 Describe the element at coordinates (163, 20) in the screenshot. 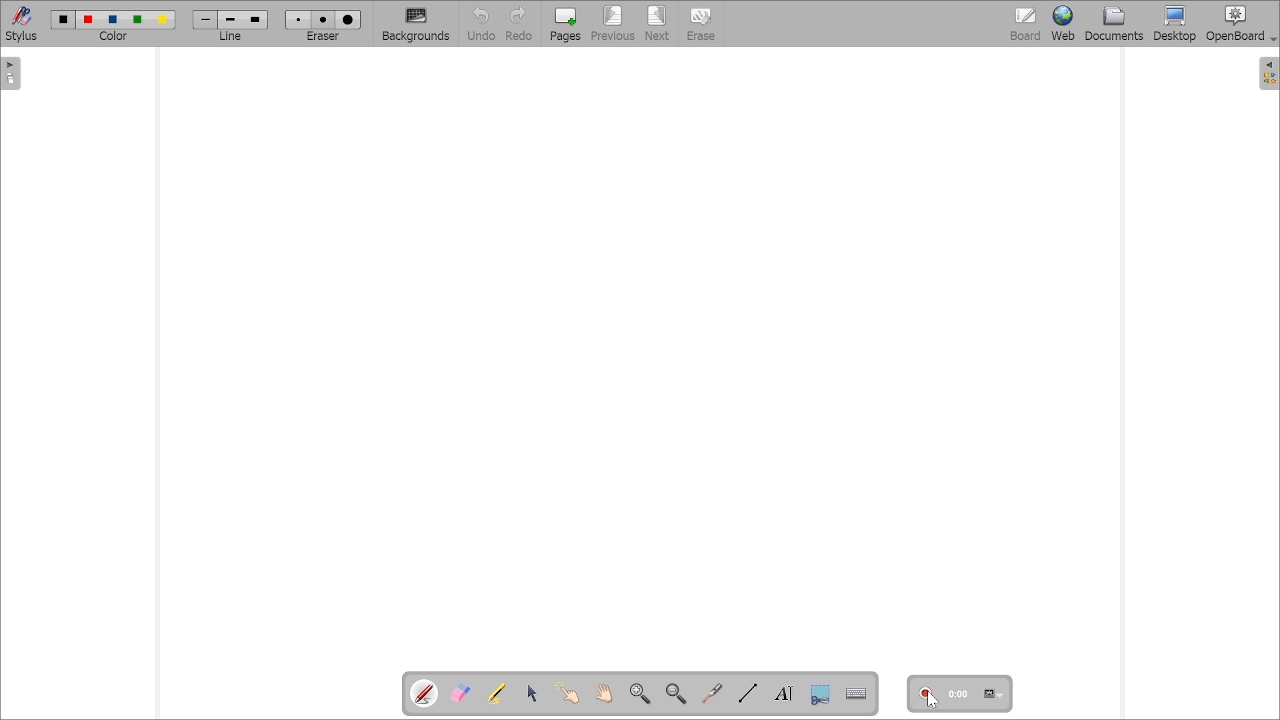

I see `color5` at that location.